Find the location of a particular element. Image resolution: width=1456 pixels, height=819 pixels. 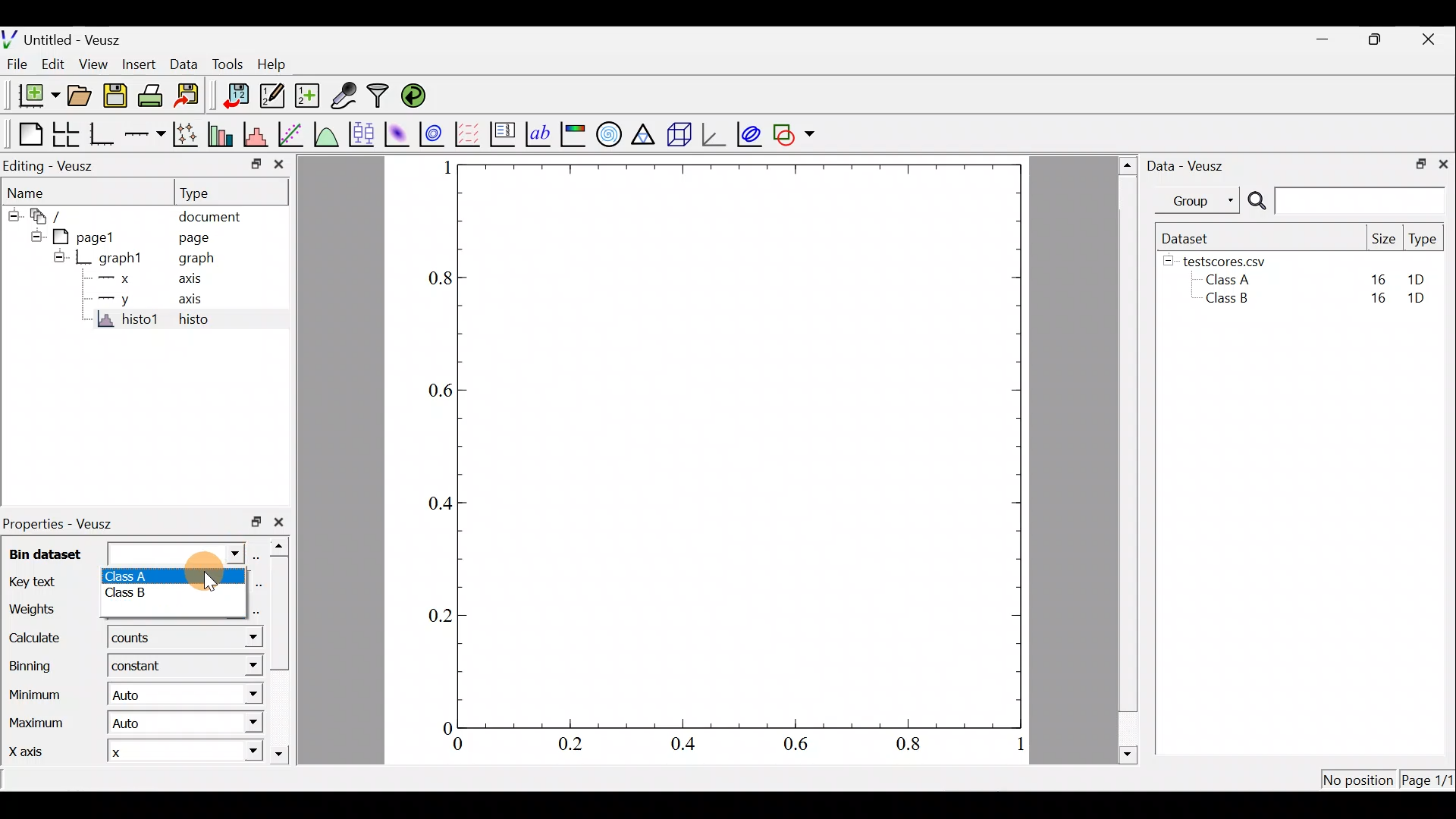

0.6 is located at coordinates (436, 389).